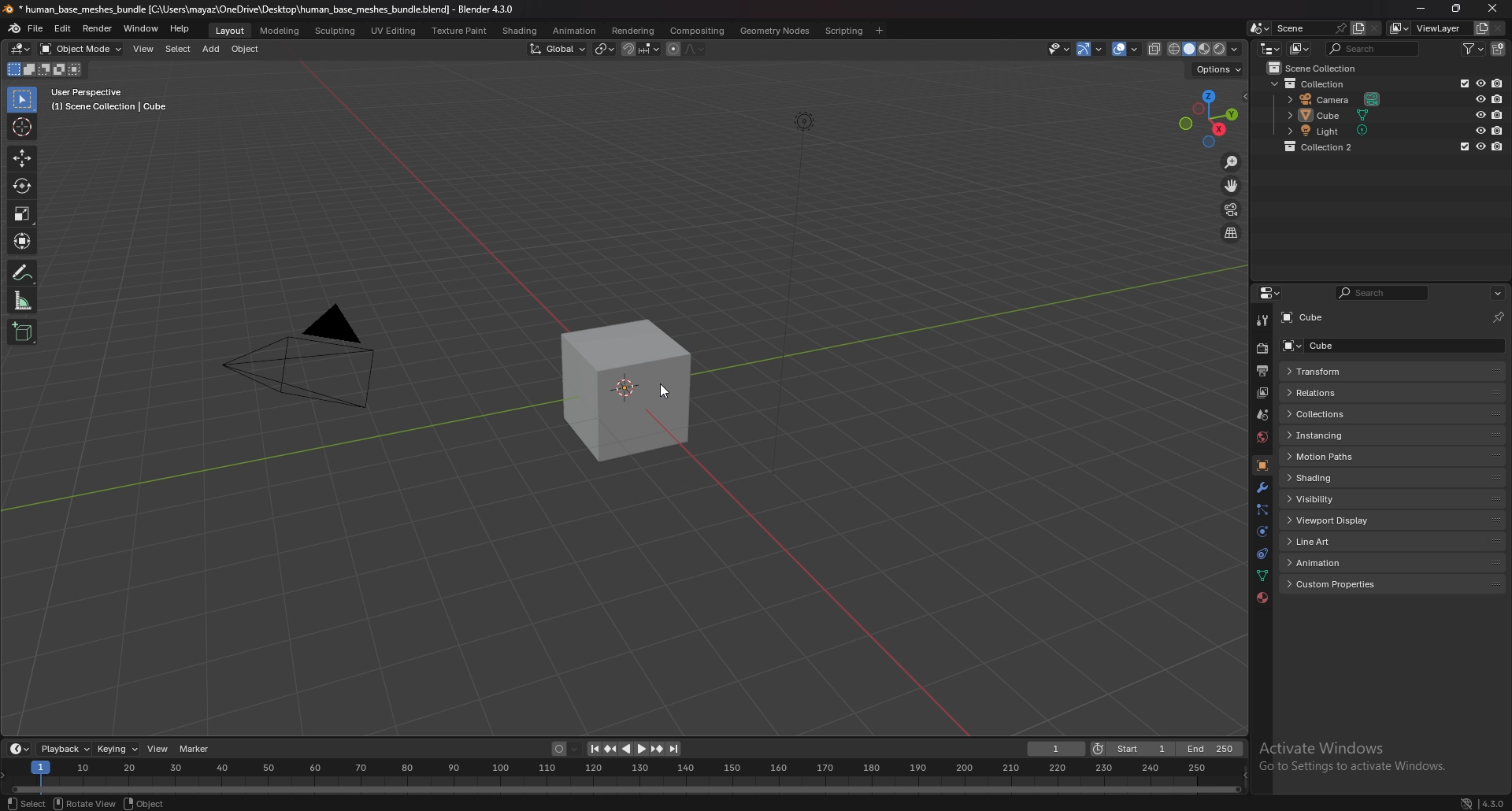 Image resolution: width=1512 pixels, height=811 pixels. Describe the element at coordinates (804, 121) in the screenshot. I see `lighting` at that location.